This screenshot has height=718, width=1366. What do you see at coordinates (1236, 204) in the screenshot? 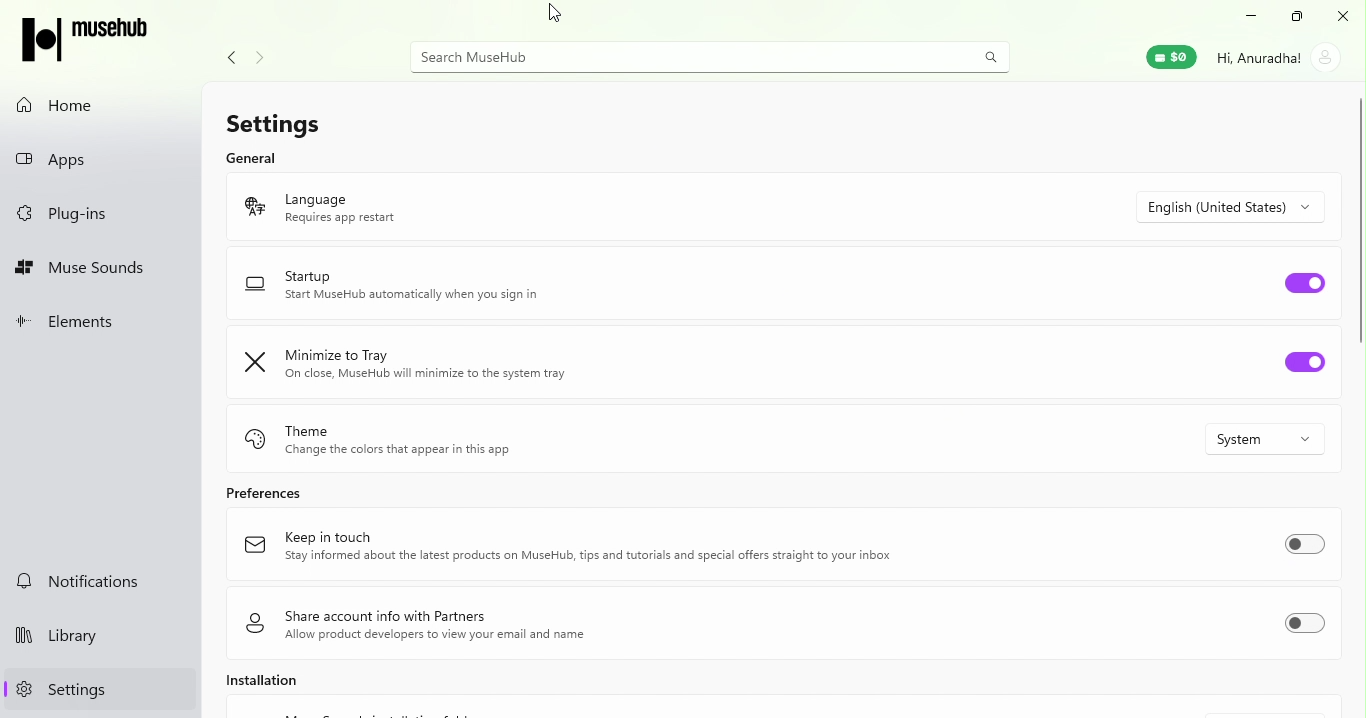
I see `Drop down` at bounding box center [1236, 204].